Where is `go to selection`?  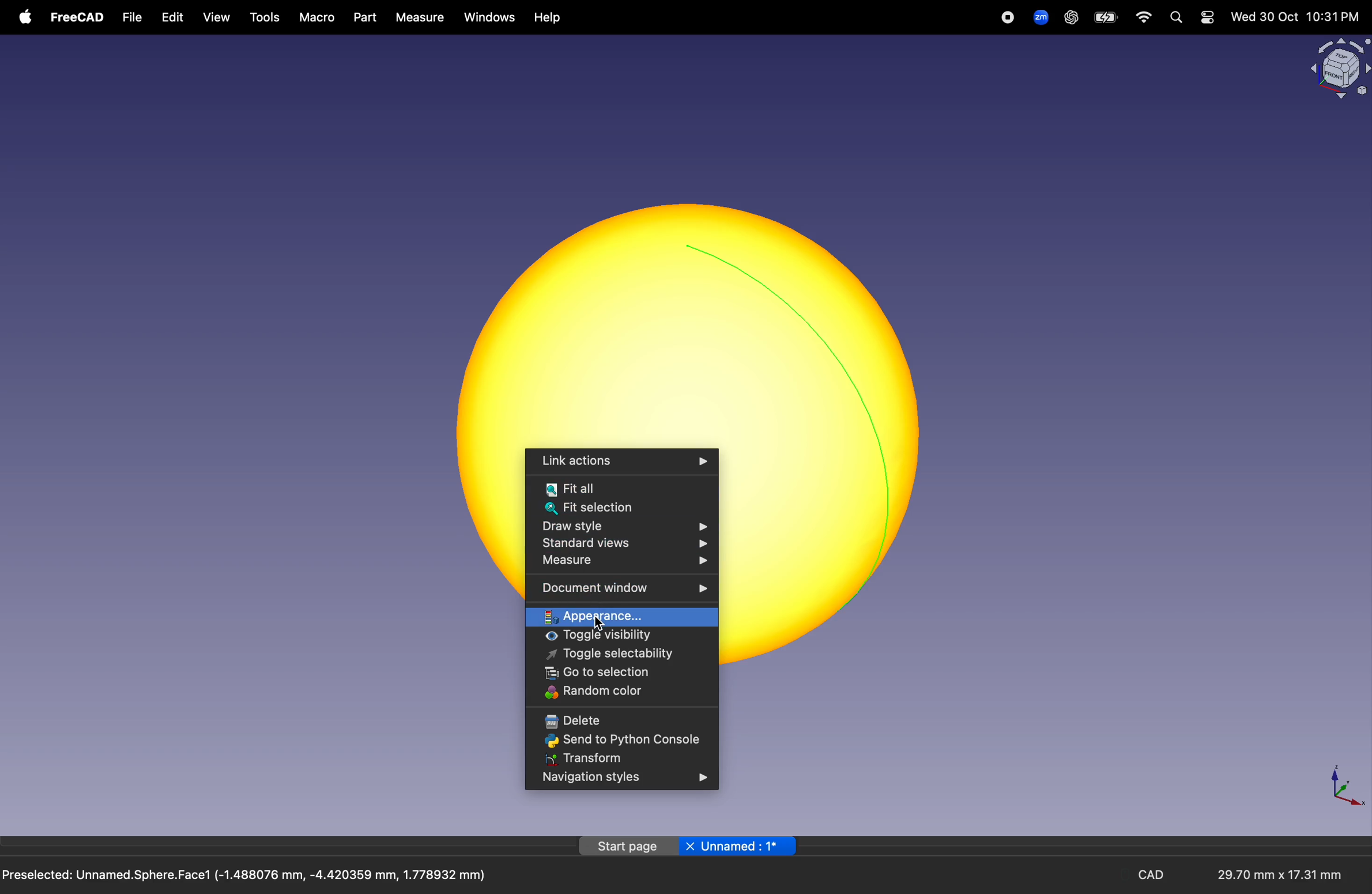 go to selection is located at coordinates (625, 673).